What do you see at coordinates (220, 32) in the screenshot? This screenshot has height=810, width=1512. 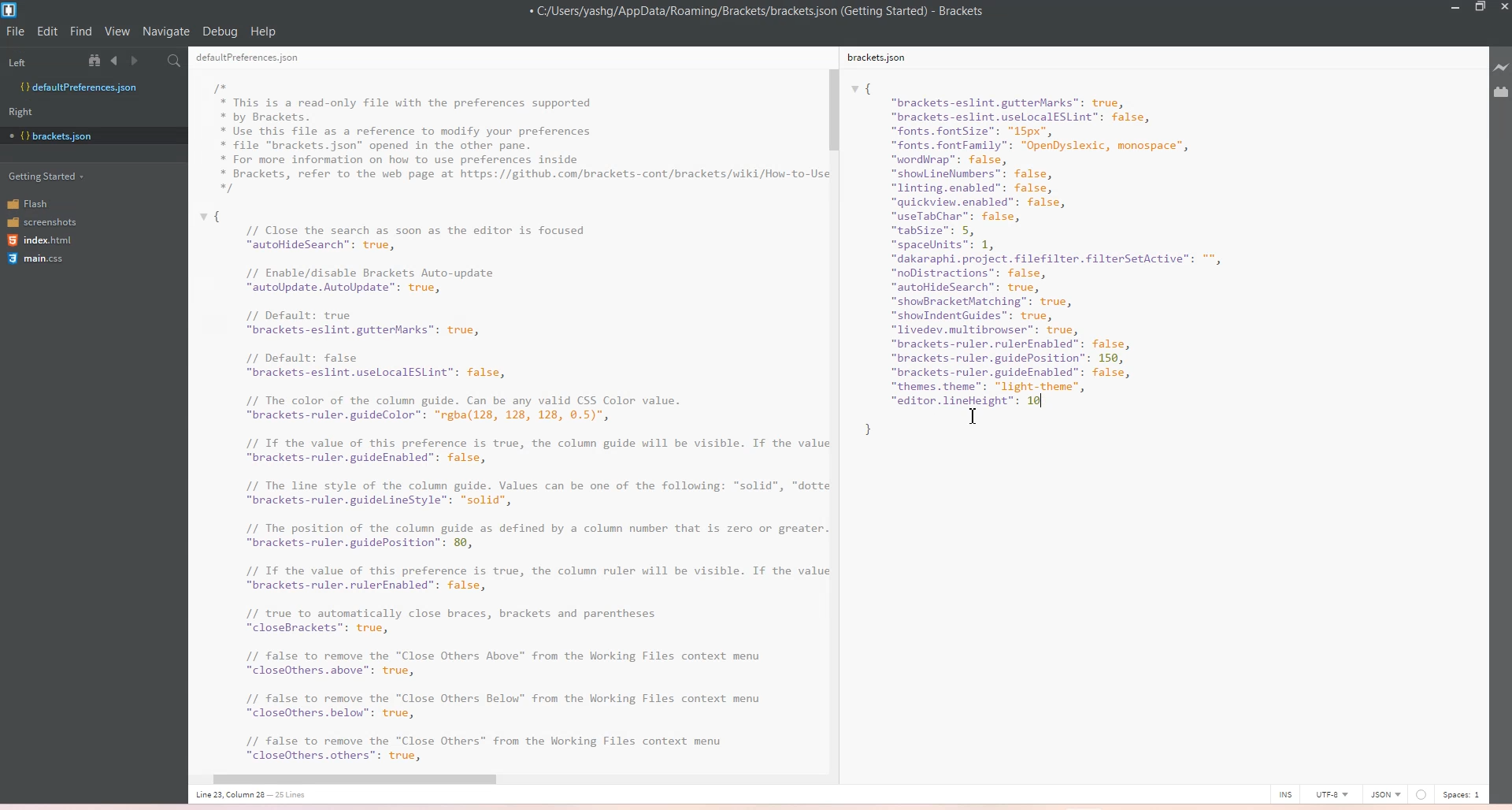 I see `Debug` at bounding box center [220, 32].